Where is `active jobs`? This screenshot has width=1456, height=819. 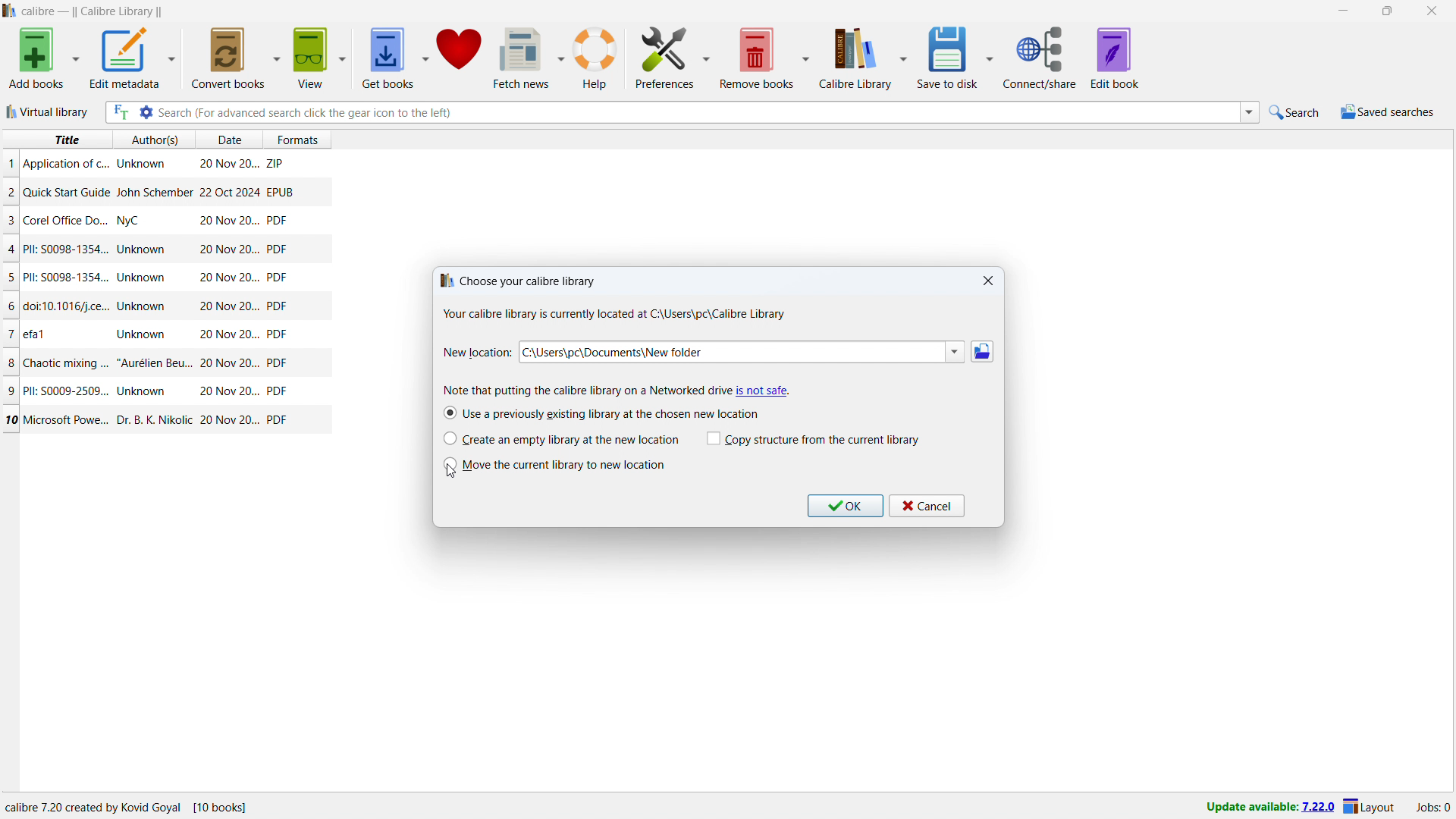
active jobs is located at coordinates (1433, 808).